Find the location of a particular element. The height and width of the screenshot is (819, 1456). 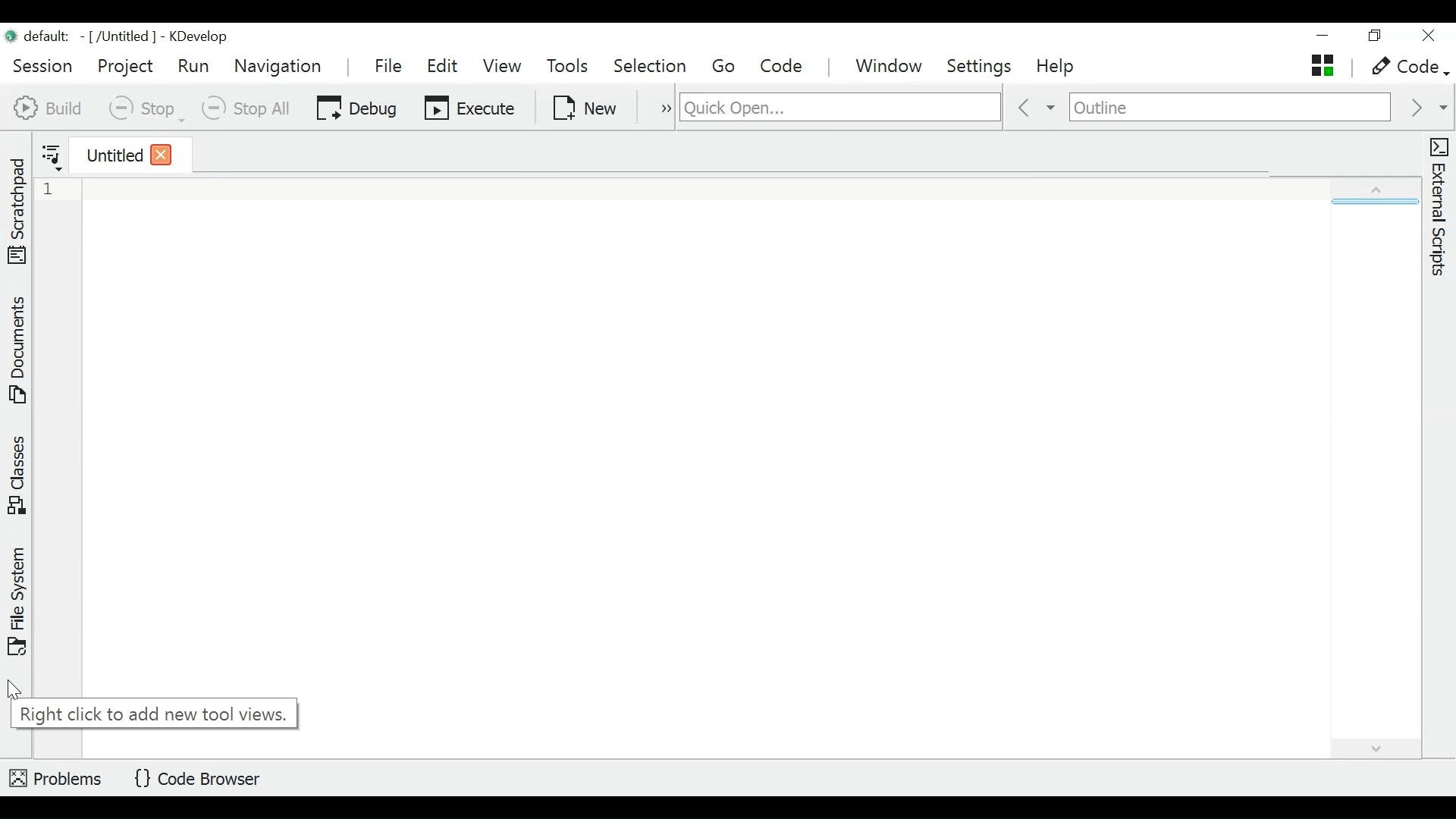

Help is located at coordinates (1057, 67).